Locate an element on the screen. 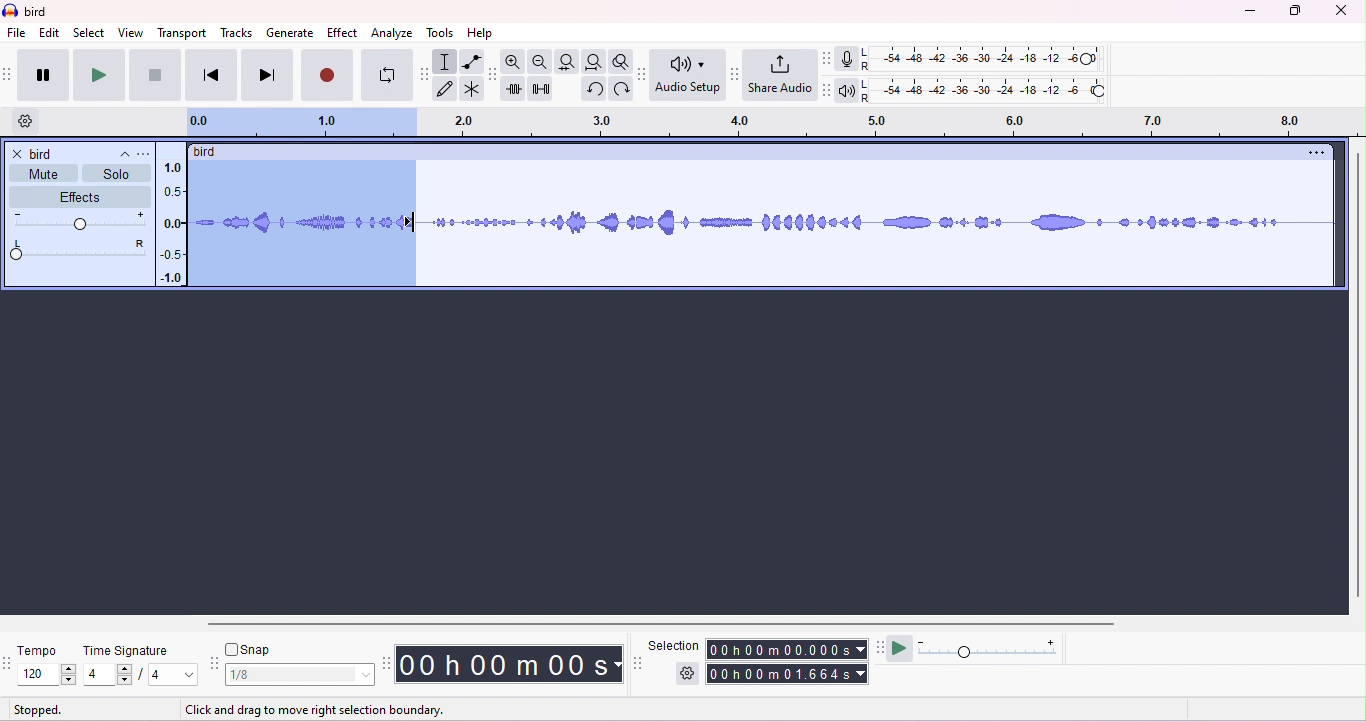 Image resolution: width=1366 pixels, height=722 pixels. options is located at coordinates (1313, 154).